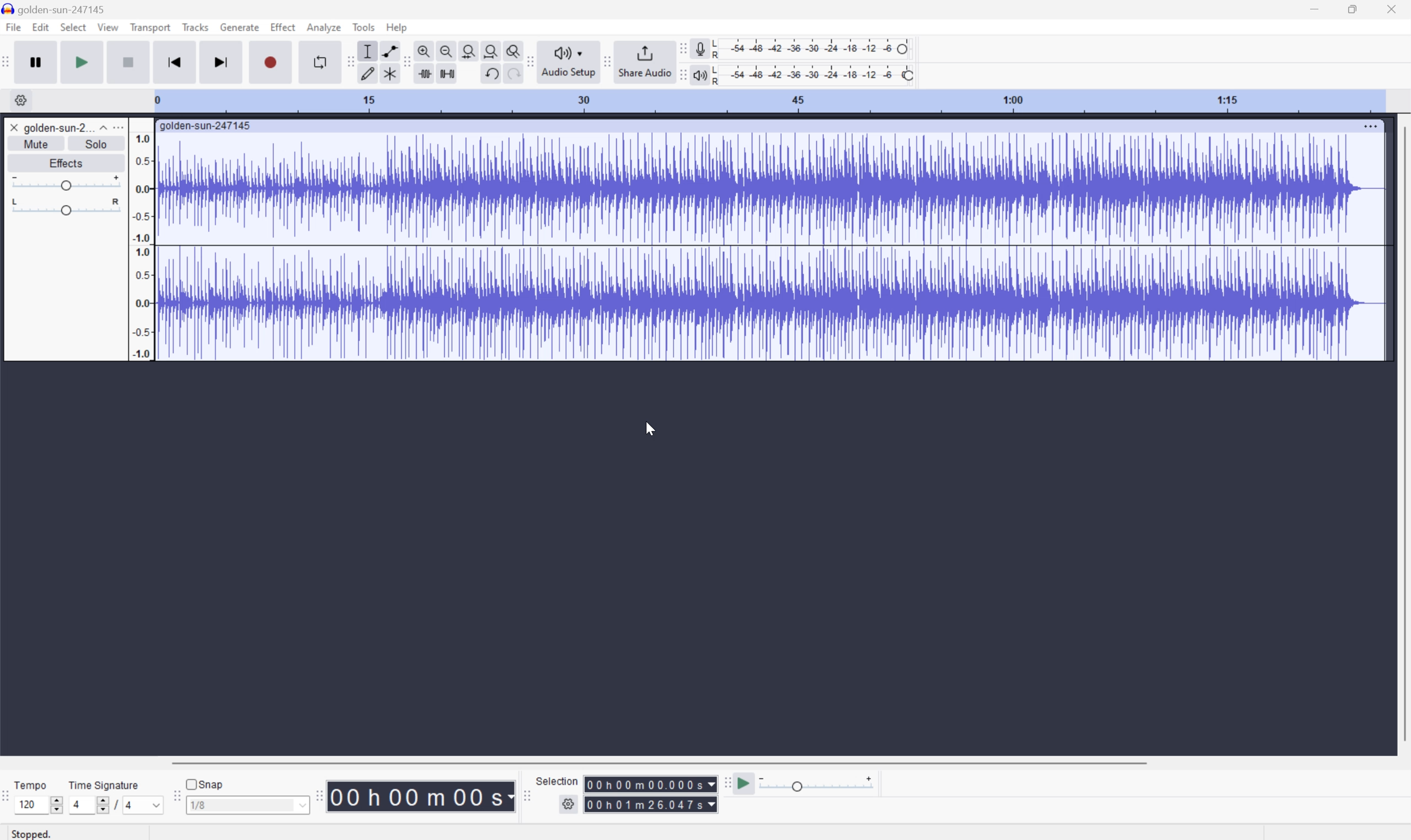 This screenshot has height=840, width=1411. What do you see at coordinates (12, 27) in the screenshot?
I see `File` at bounding box center [12, 27].